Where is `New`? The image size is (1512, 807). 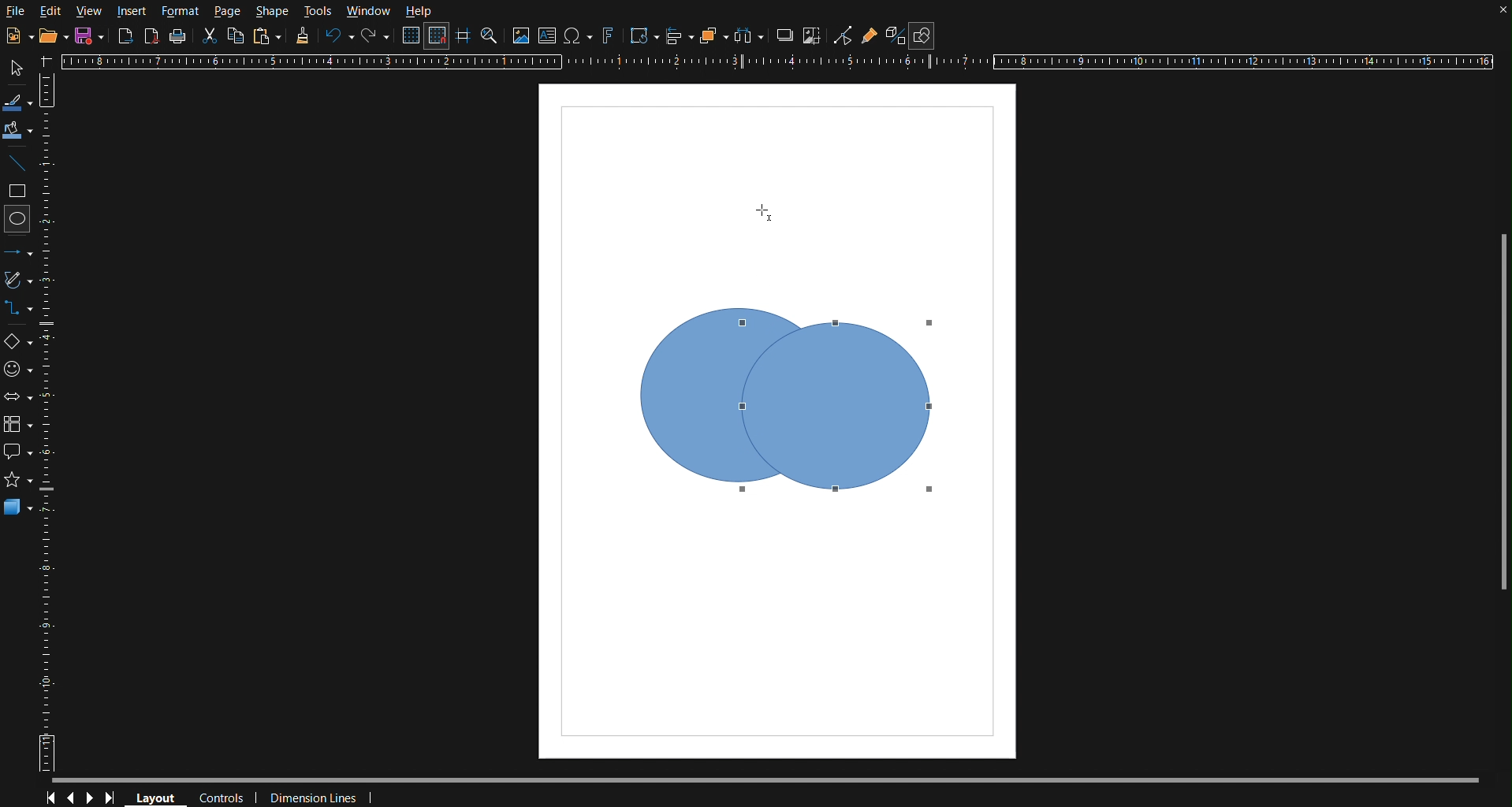
New is located at coordinates (15, 33).